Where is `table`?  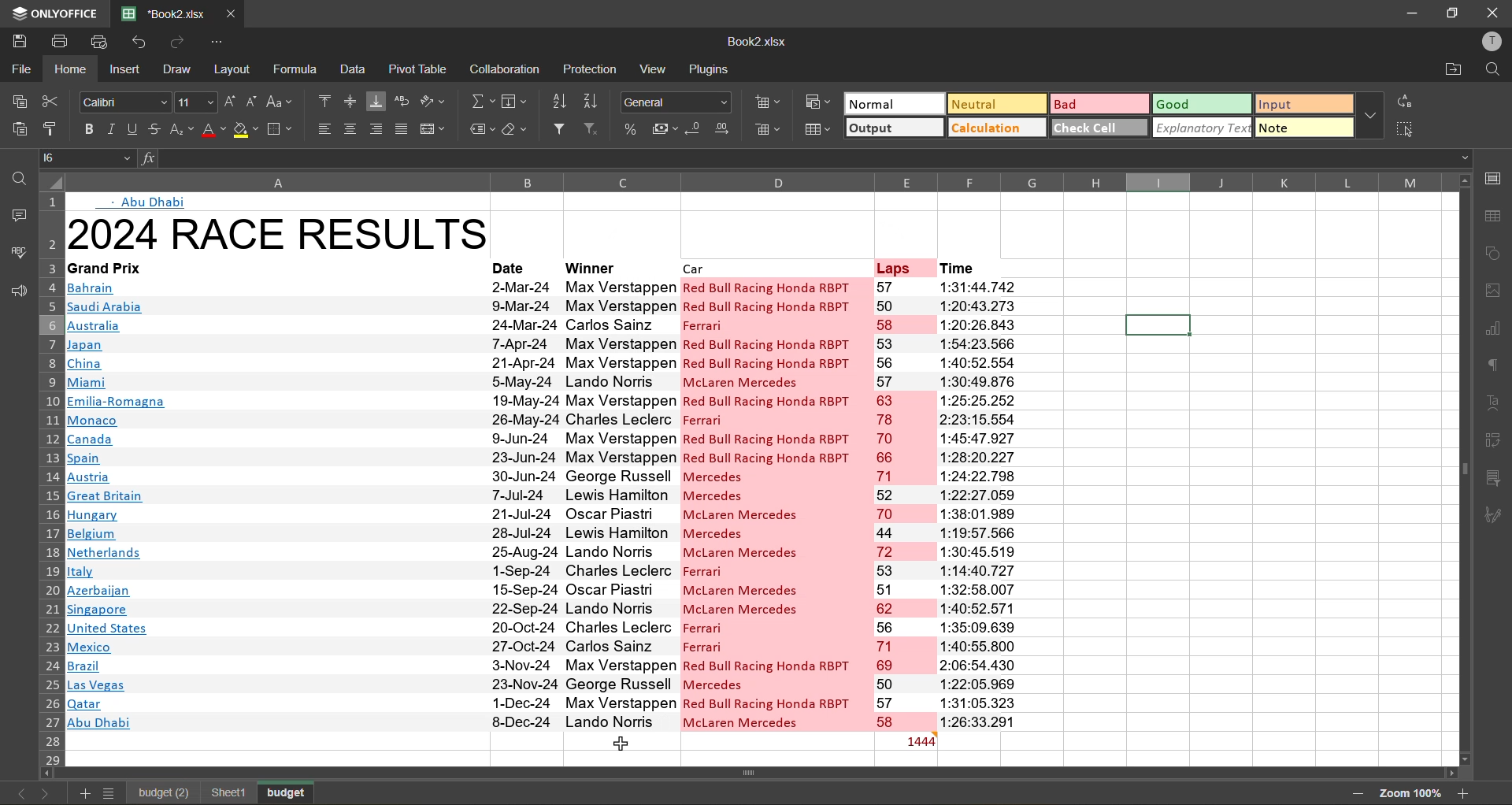
table is located at coordinates (1497, 216).